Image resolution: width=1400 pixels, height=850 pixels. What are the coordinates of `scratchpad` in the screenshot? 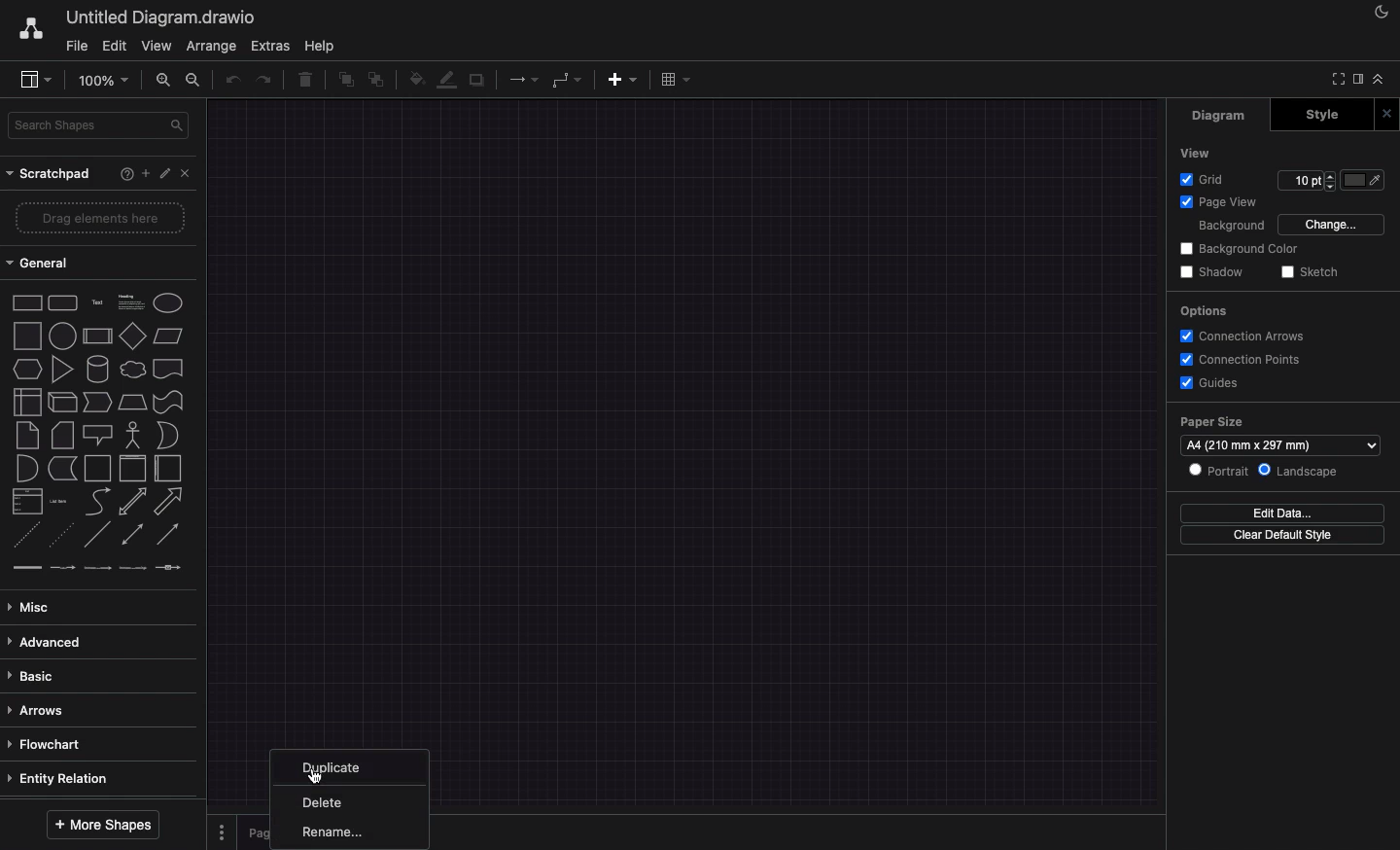 It's located at (50, 174).